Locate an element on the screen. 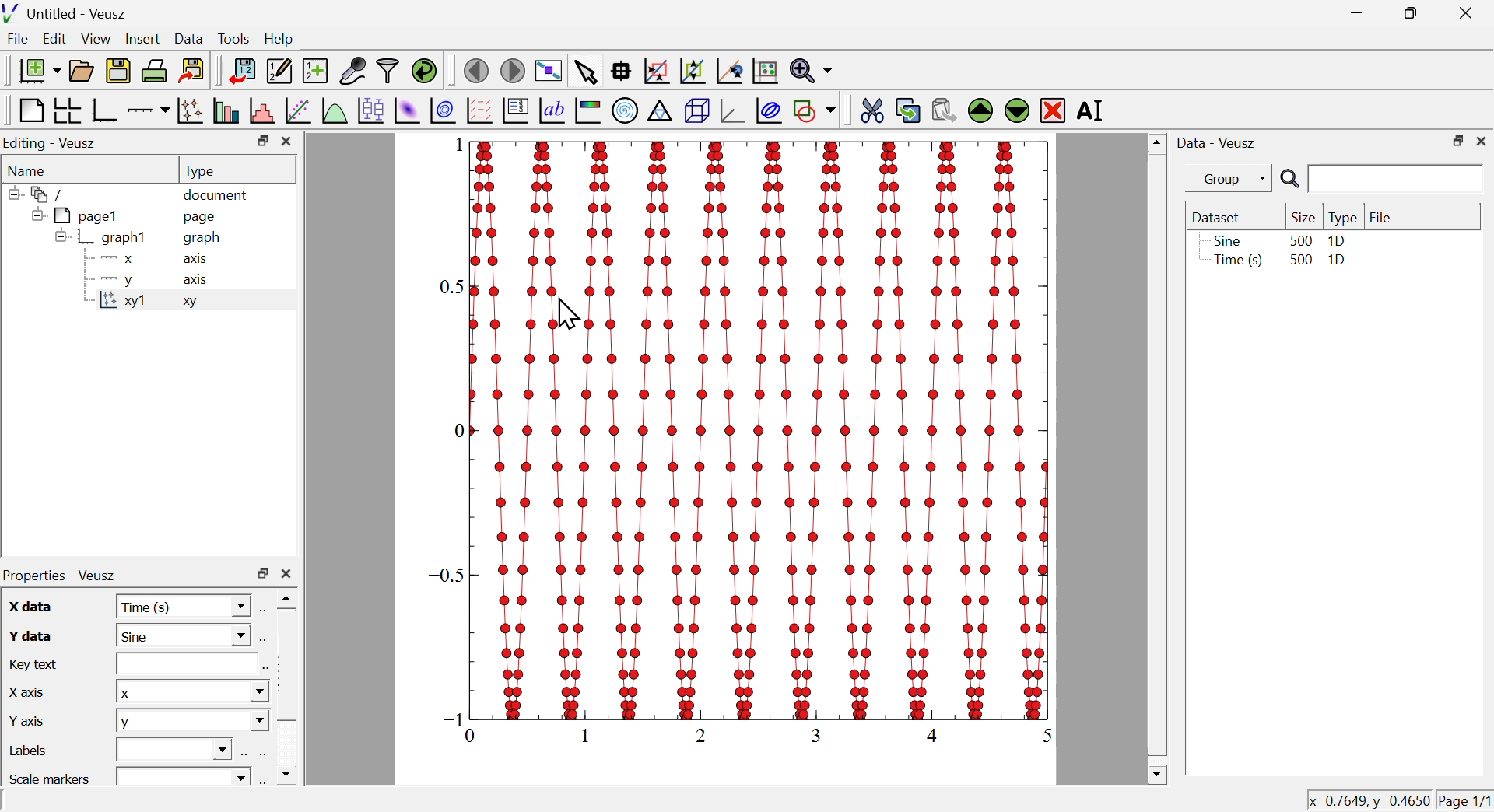 This screenshot has width=1494, height=812. xy is located at coordinates (195, 305).